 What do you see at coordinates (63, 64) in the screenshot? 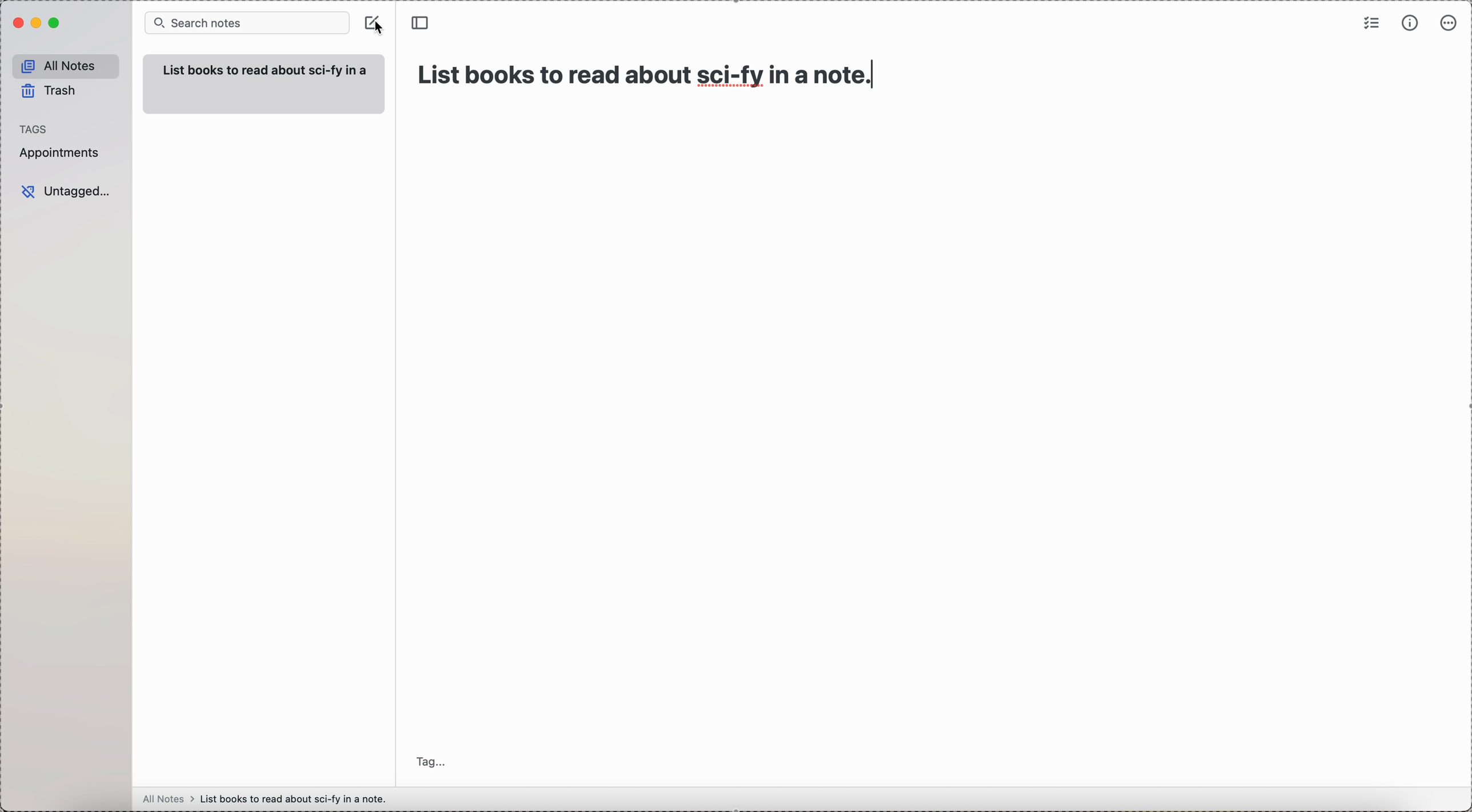
I see `all notes` at bounding box center [63, 64].